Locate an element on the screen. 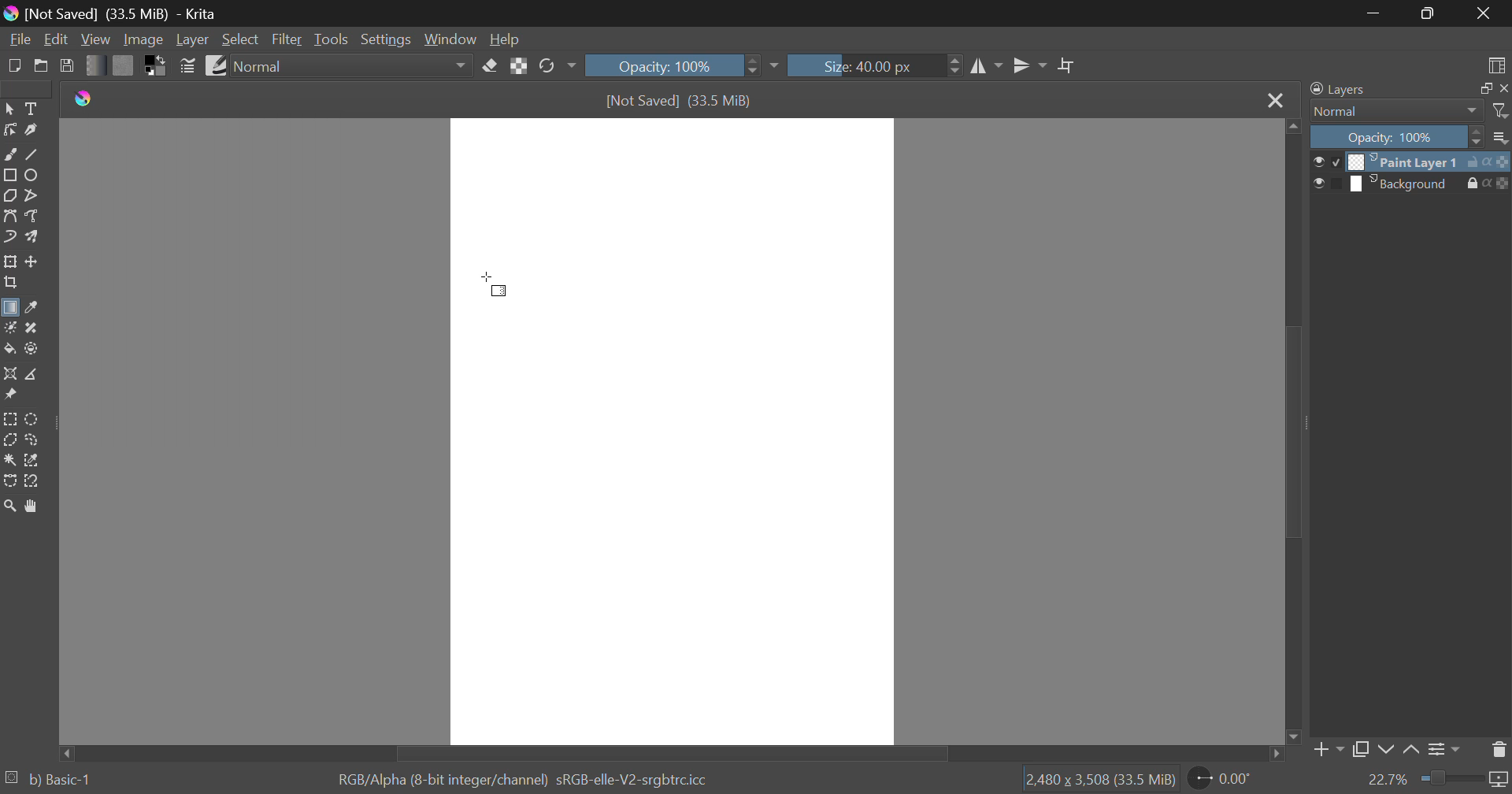 This screenshot has width=1512, height=794. Document Workspace is located at coordinates (672, 430).